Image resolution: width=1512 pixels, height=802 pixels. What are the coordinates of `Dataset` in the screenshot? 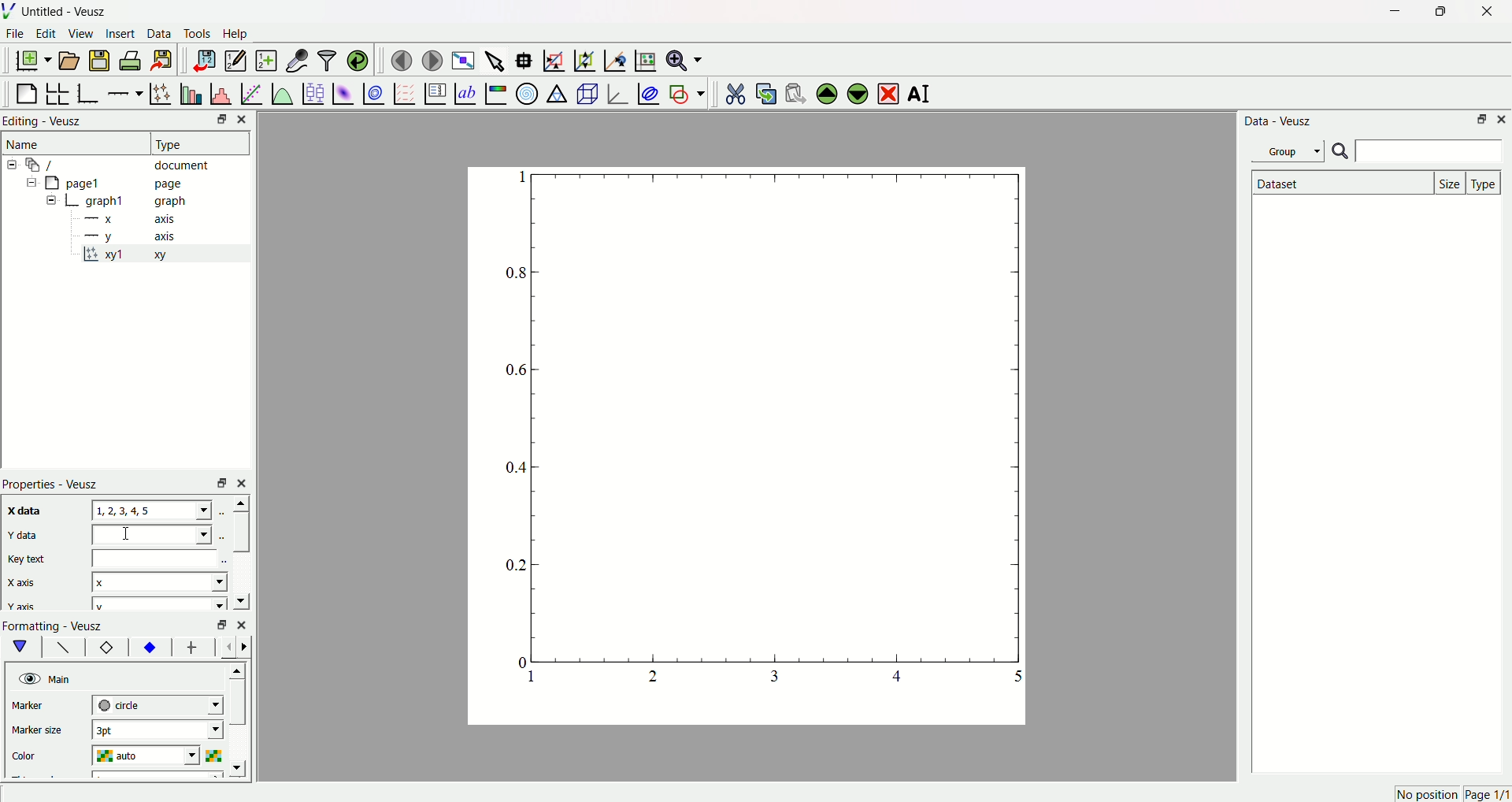 It's located at (1340, 183).